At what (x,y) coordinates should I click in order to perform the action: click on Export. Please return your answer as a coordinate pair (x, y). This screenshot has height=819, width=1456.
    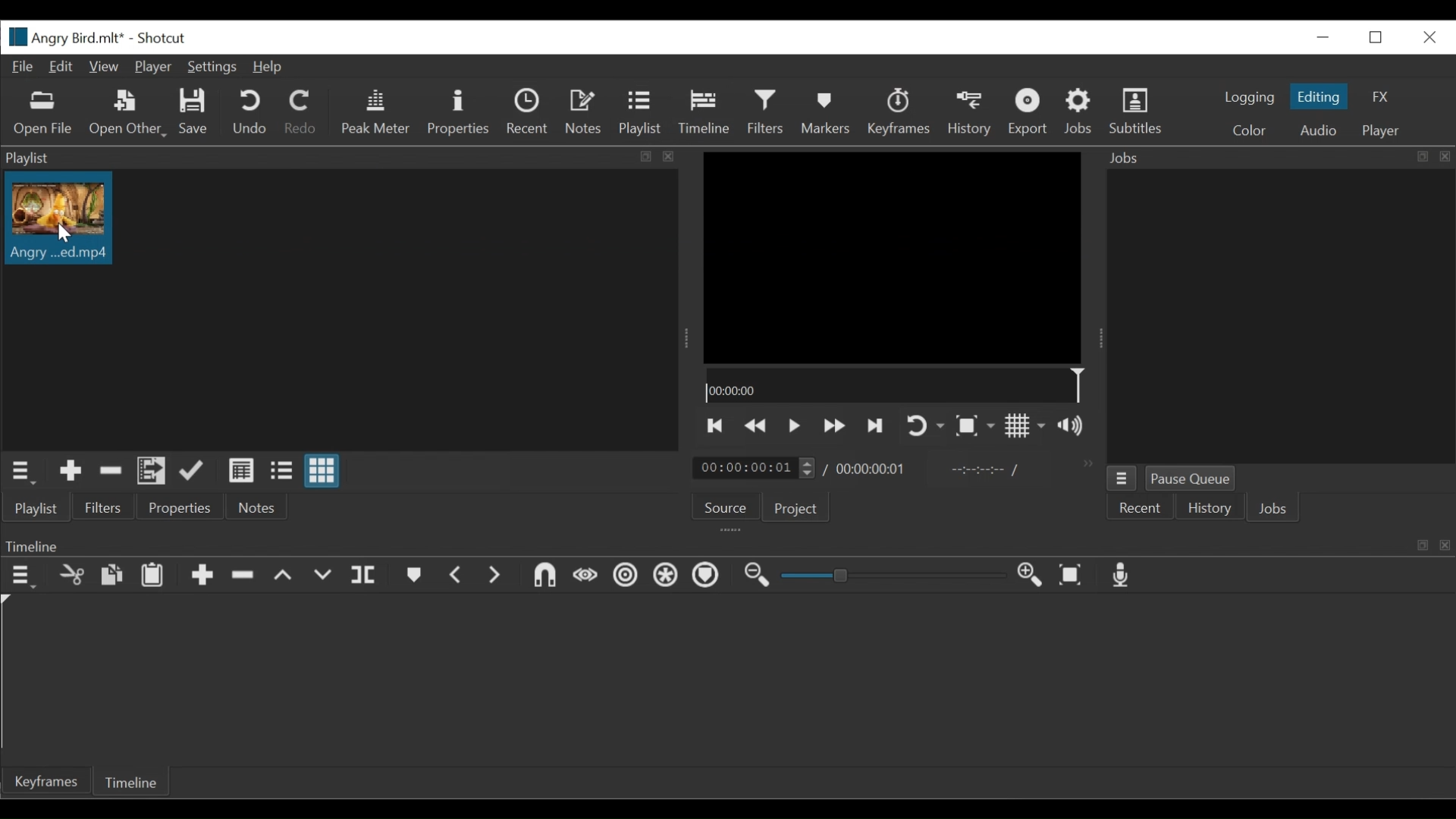
    Looking at the image, I should click on (1029, 114).